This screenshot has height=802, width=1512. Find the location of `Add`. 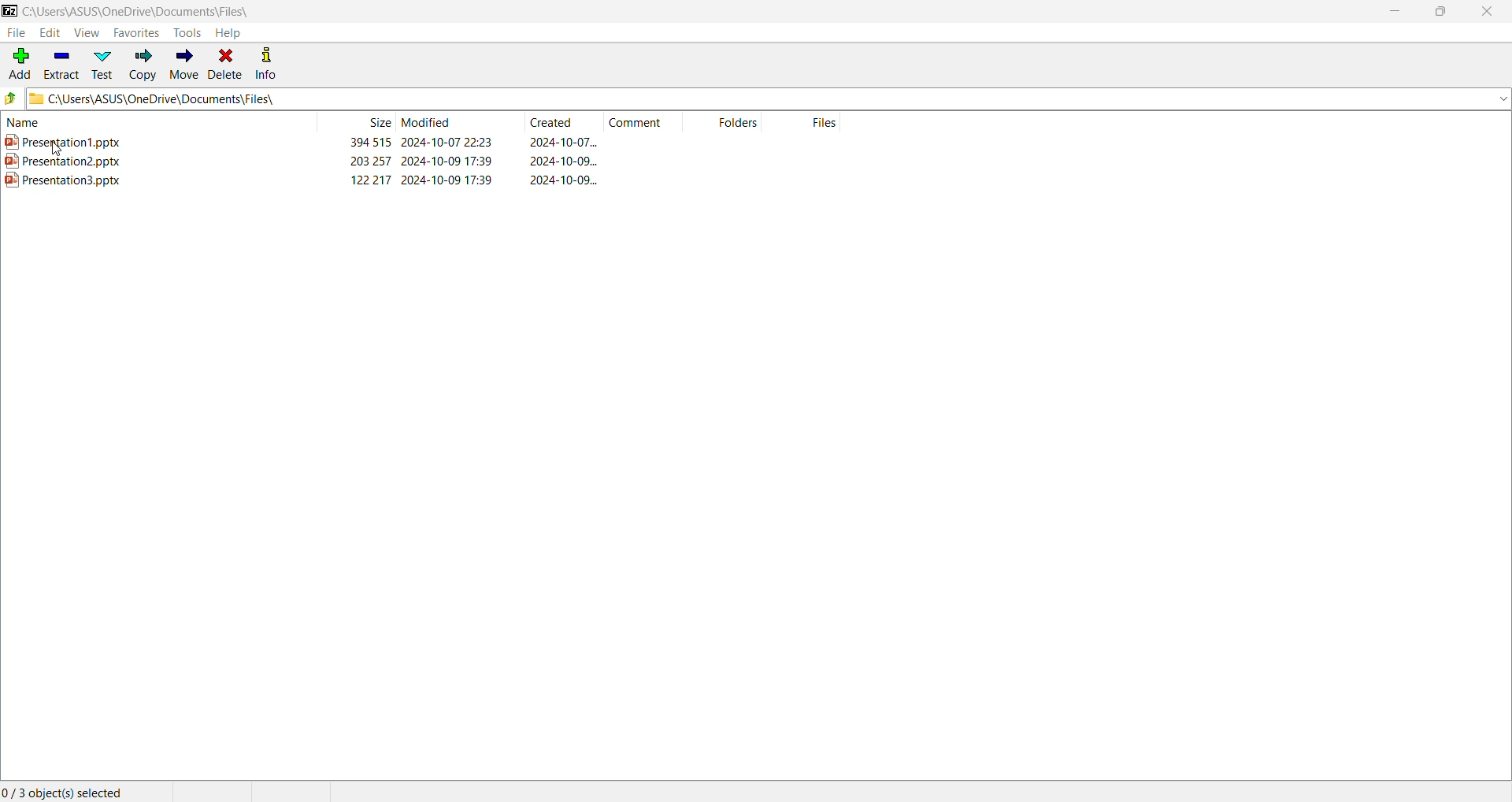

Add is located at coordinates (19, 59).